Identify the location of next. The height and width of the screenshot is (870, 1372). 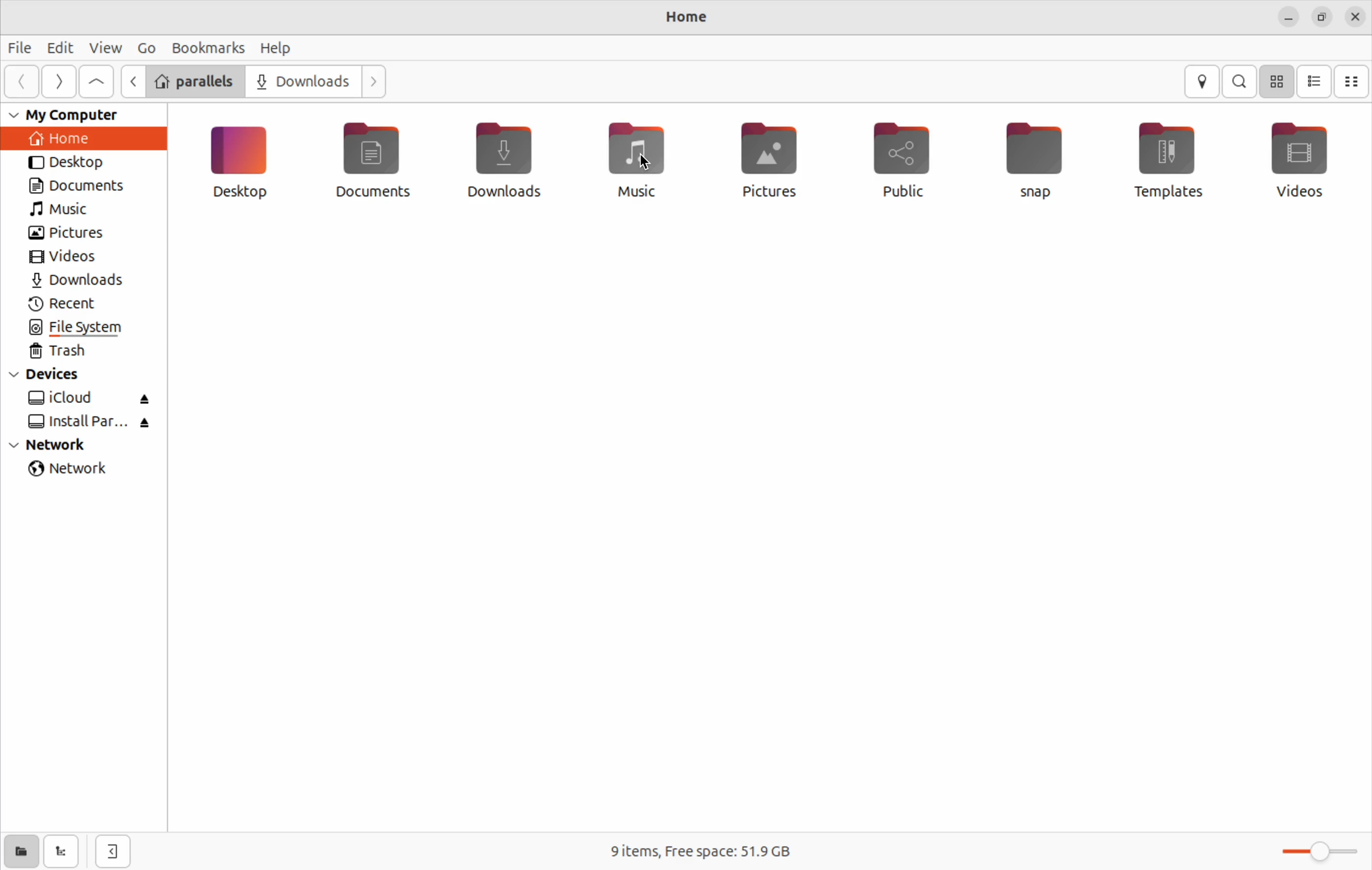
(56, 81).